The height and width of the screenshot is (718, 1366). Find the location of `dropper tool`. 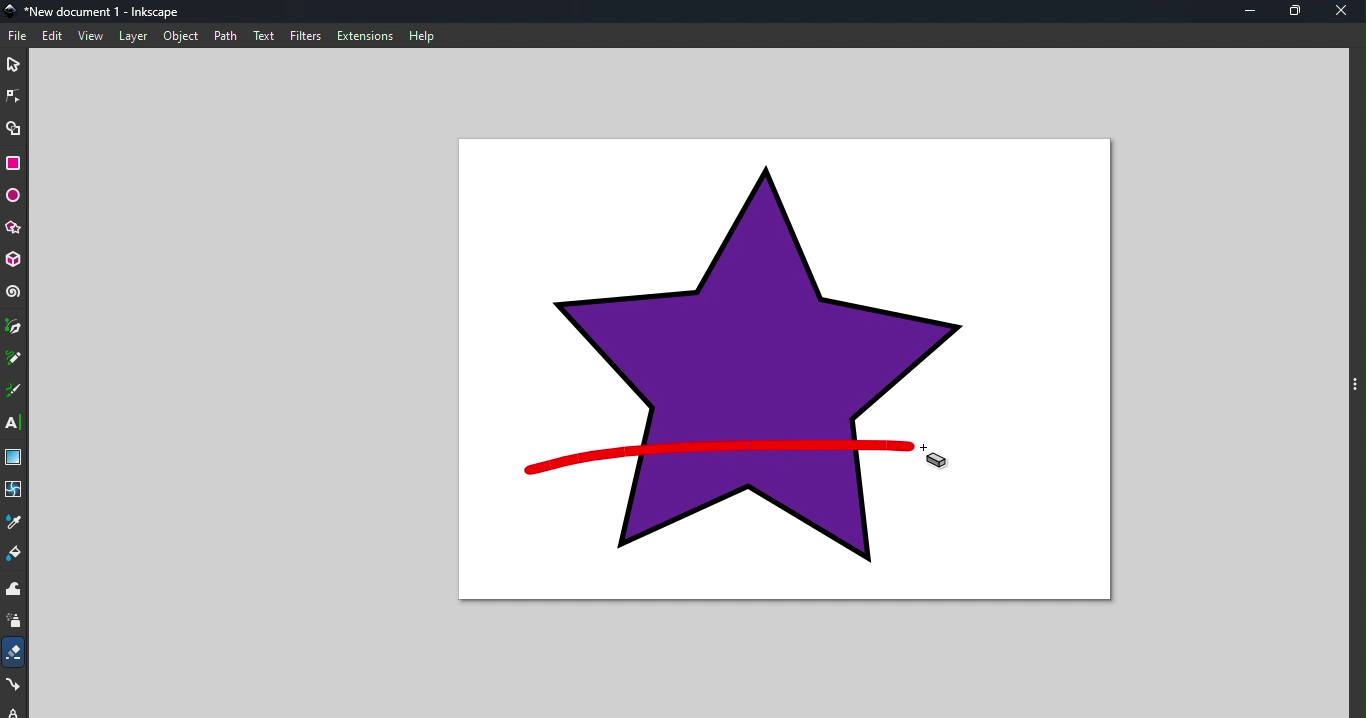

dropper tool is located at coordinates (14, 521).